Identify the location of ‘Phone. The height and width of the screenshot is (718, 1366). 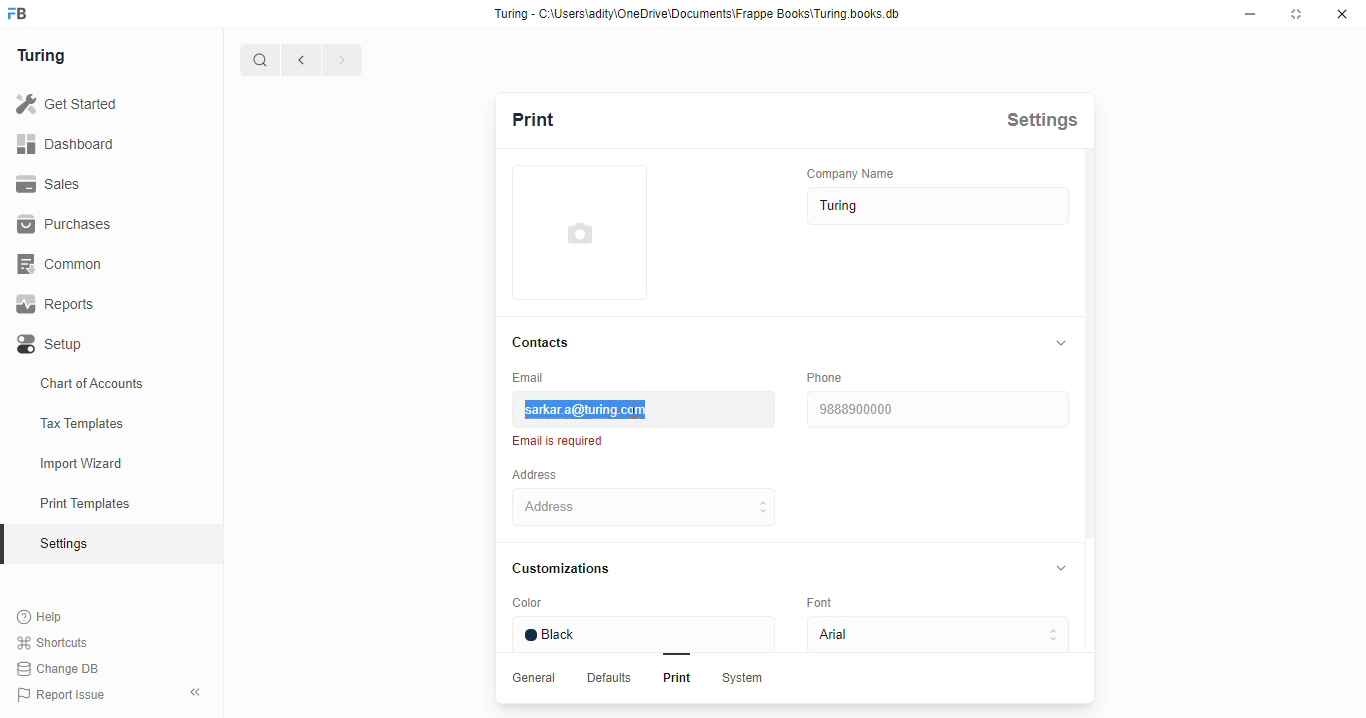
(827, 377).